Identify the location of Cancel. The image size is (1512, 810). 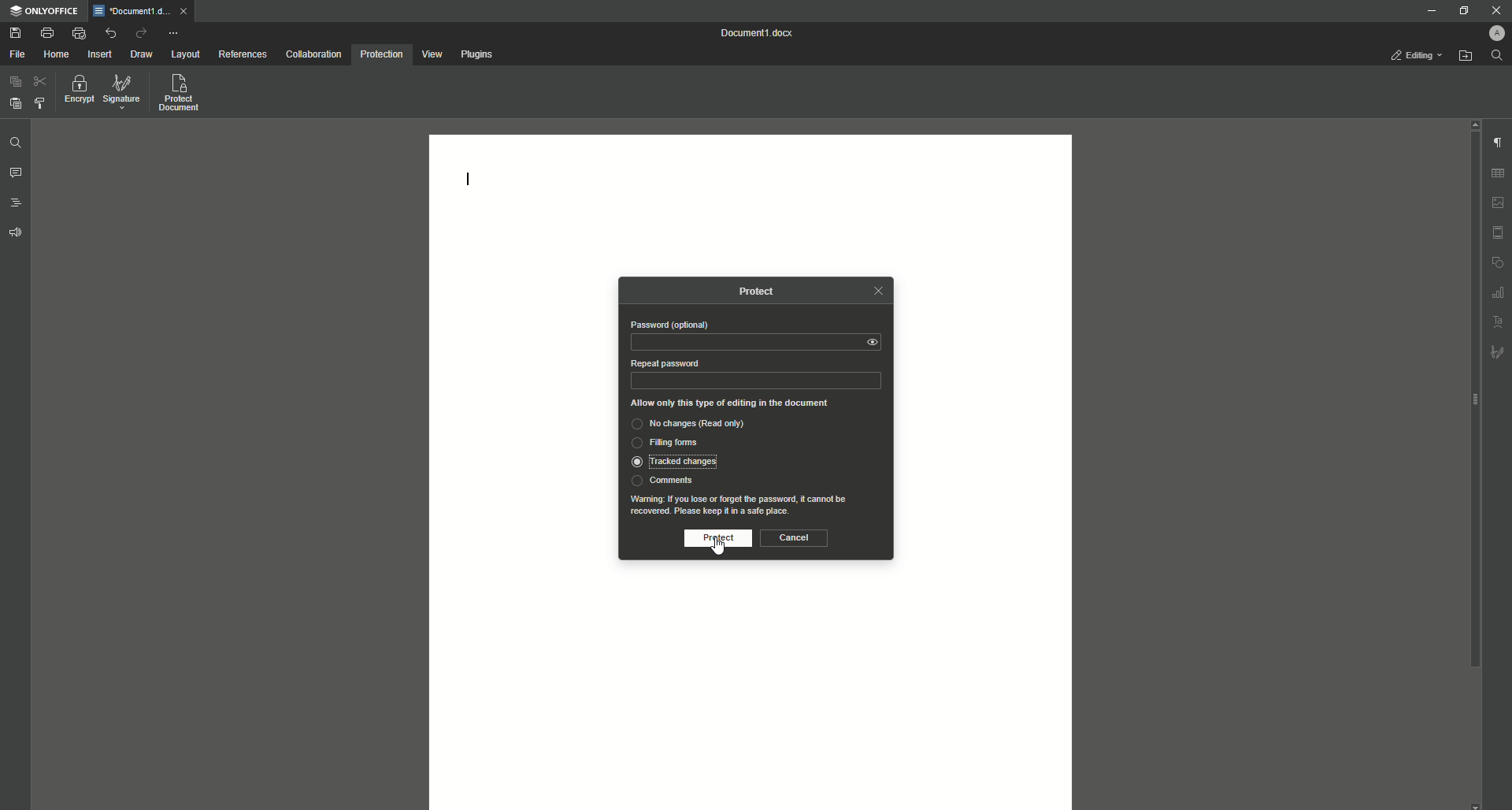
(795, 538).